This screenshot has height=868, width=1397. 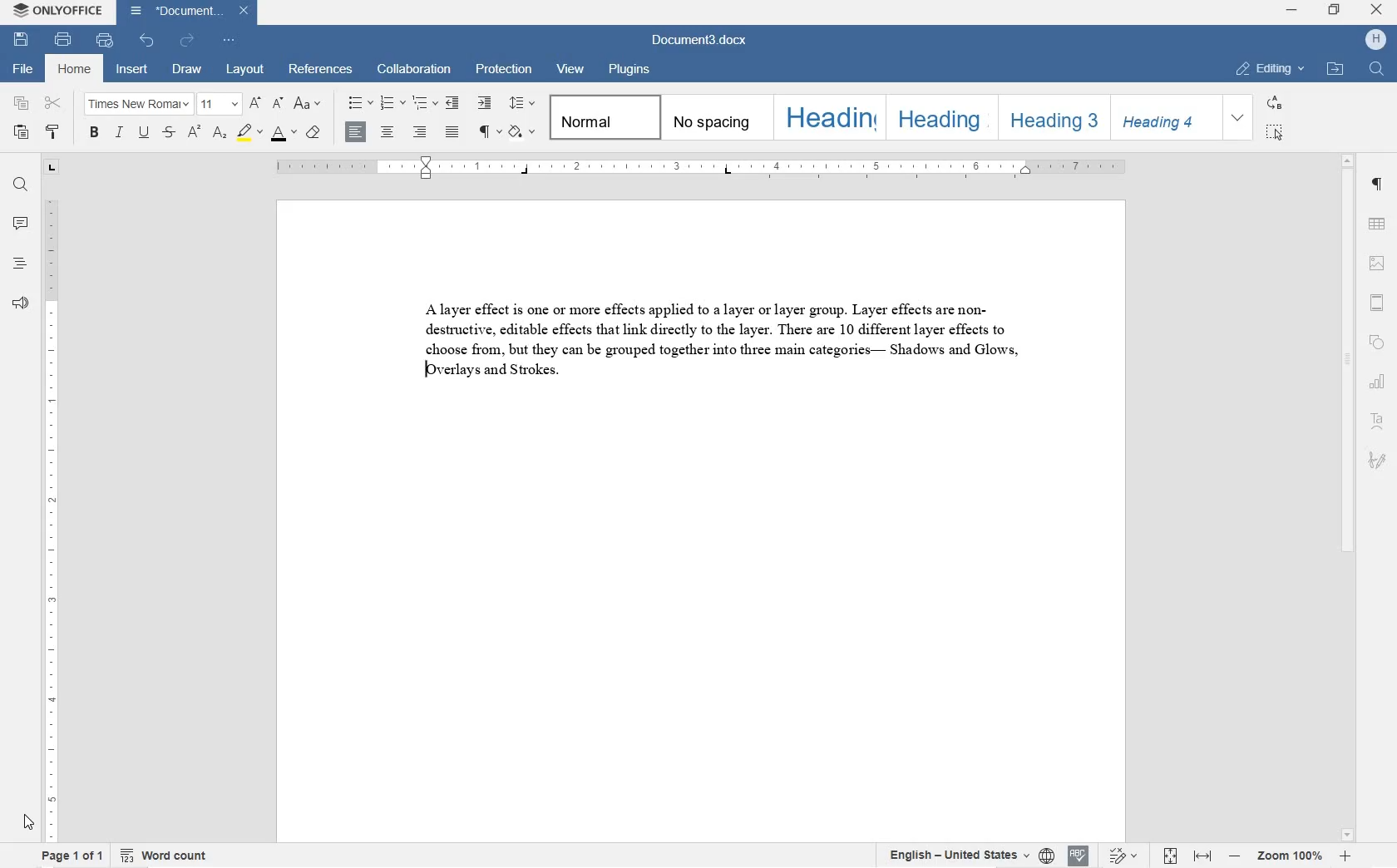 What do you see at coordinates (1240, 119) in the screenshot?
I see `EXPAND FORMATTING STYLE` at bounding box center [1240, 119].